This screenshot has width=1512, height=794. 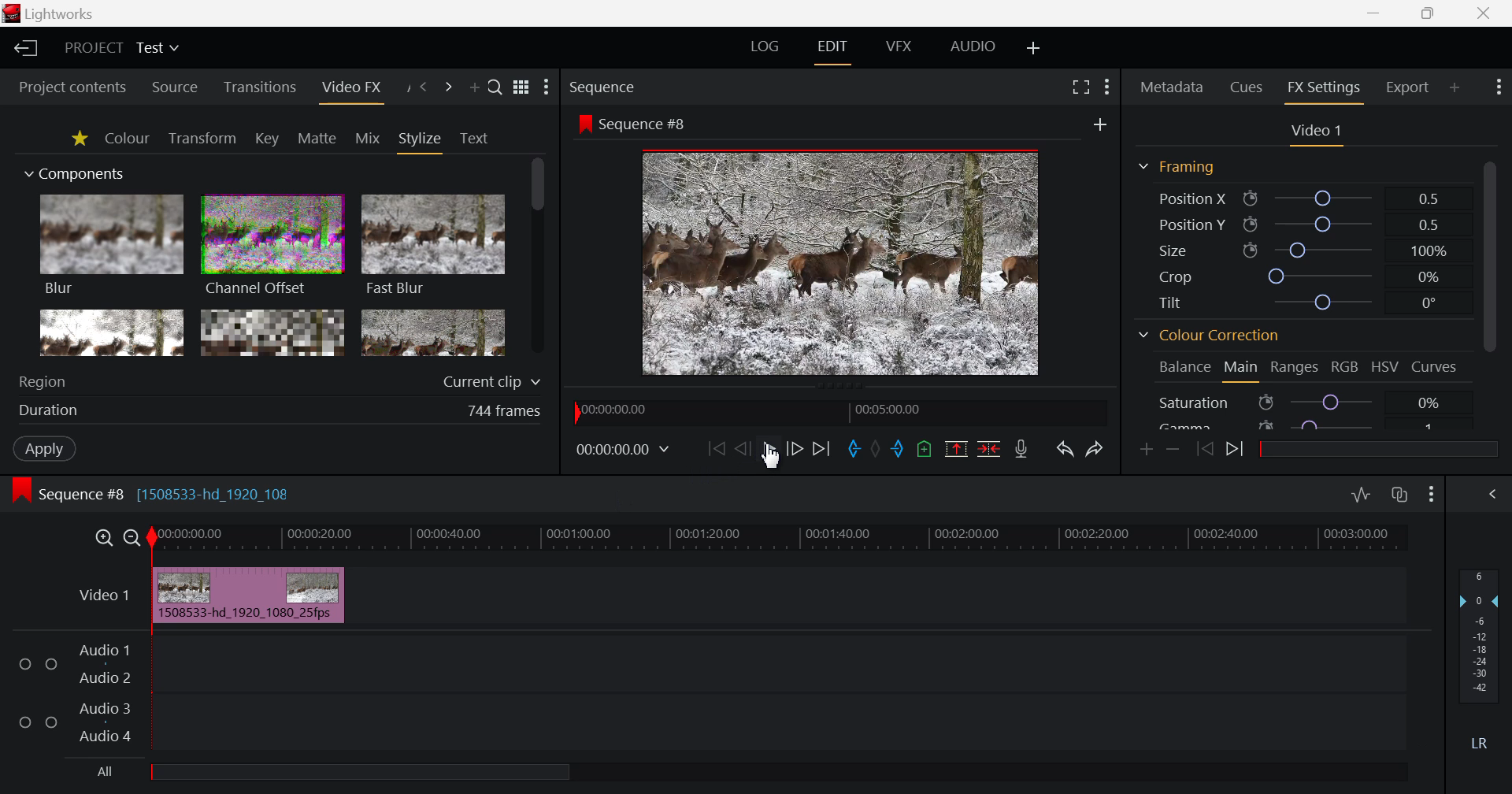 I want to click on Position Y, so click(x=1299, y=224).